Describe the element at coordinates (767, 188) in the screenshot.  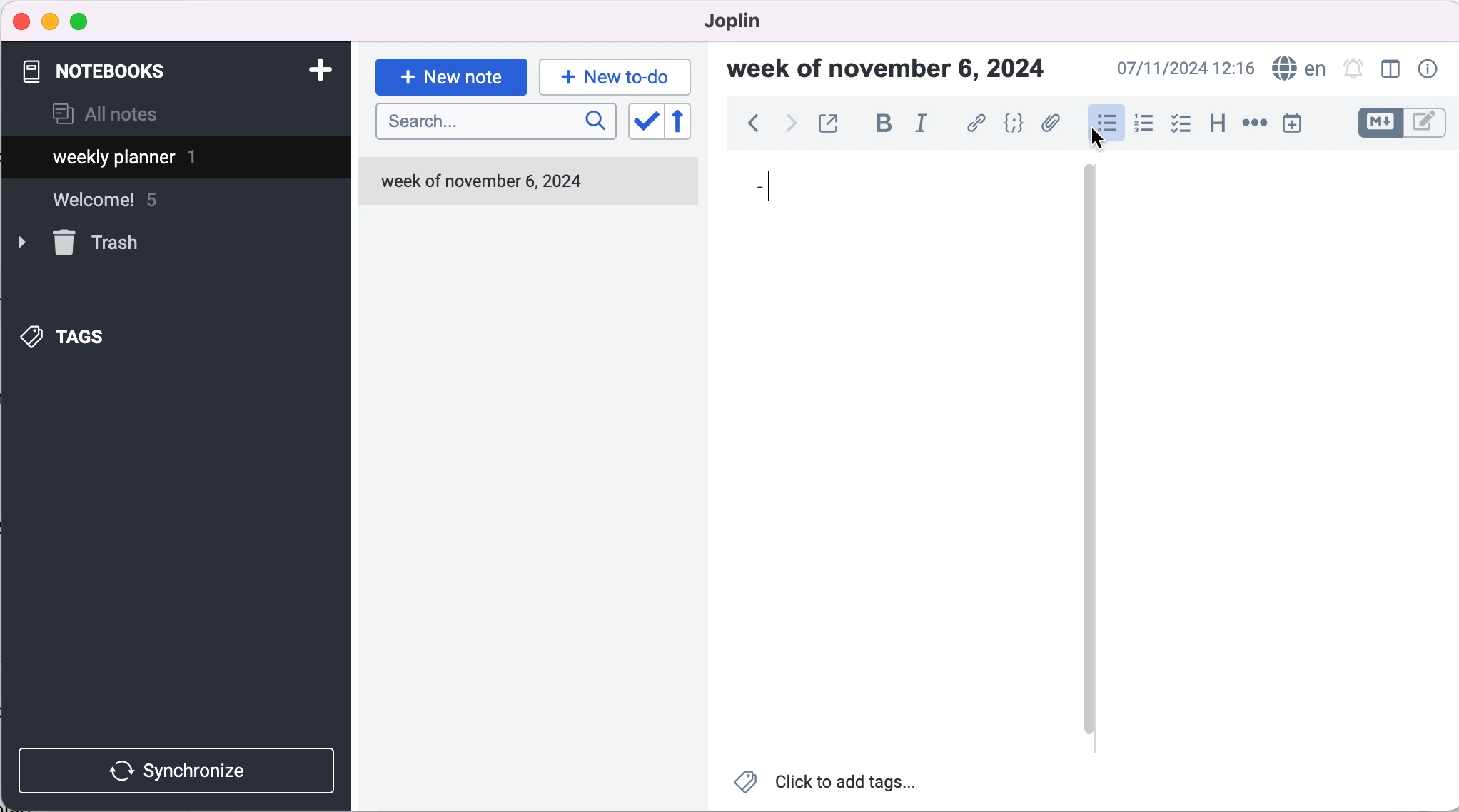
I see `cursor` at that location.